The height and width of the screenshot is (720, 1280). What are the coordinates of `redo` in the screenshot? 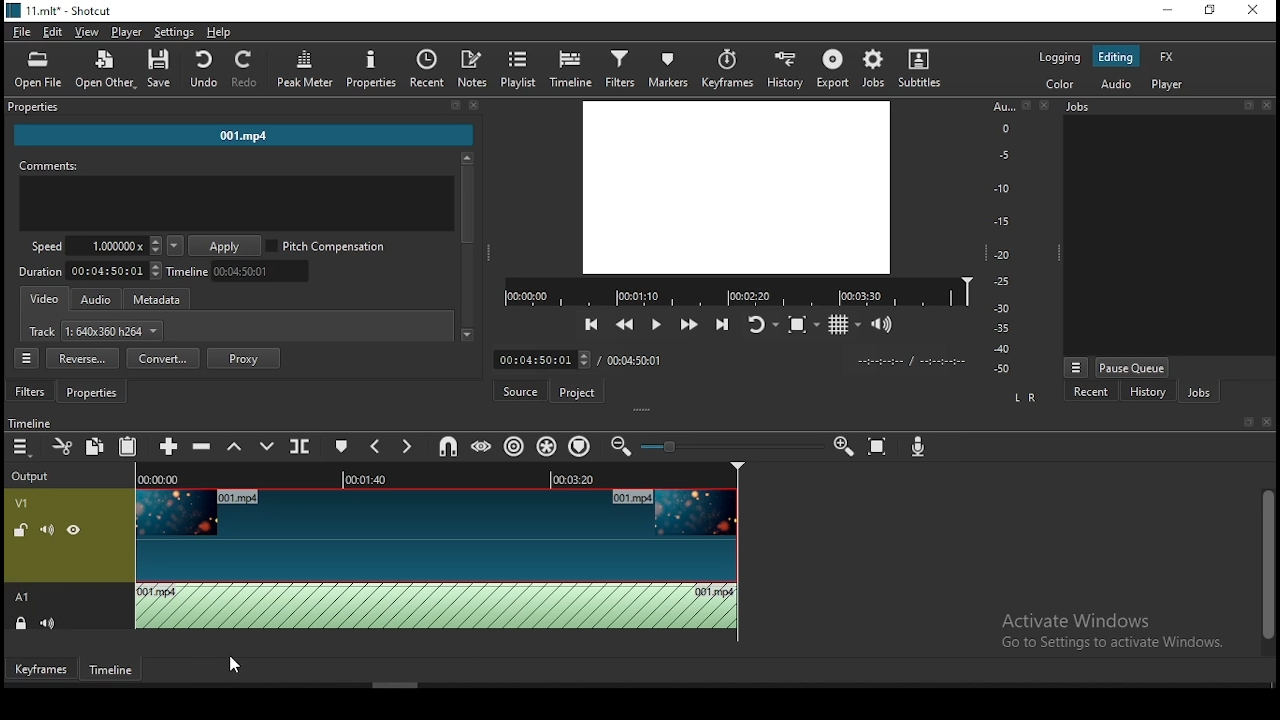 It's located at (246, 69).